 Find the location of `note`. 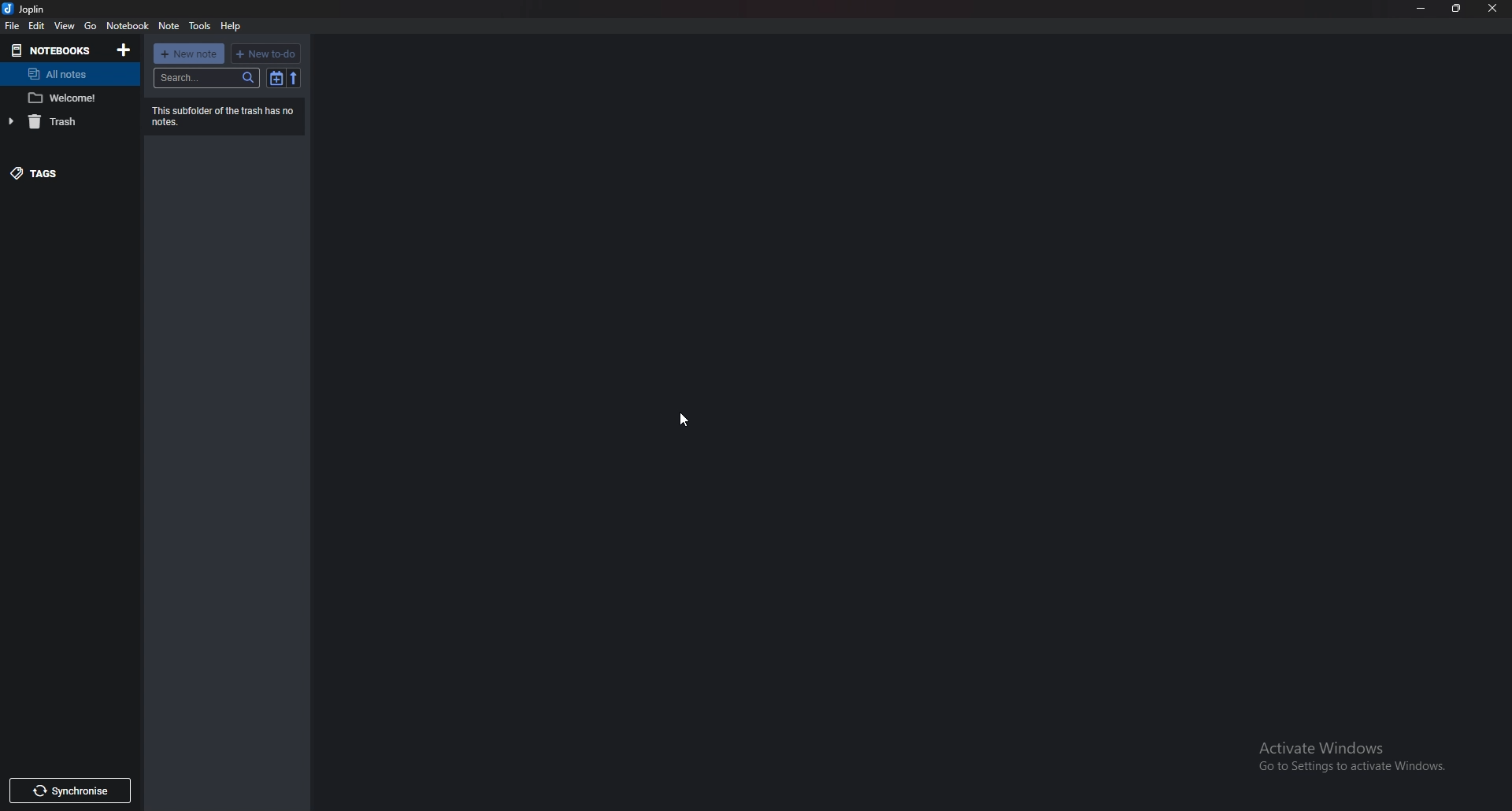

note is located at coordinates (65, 98).